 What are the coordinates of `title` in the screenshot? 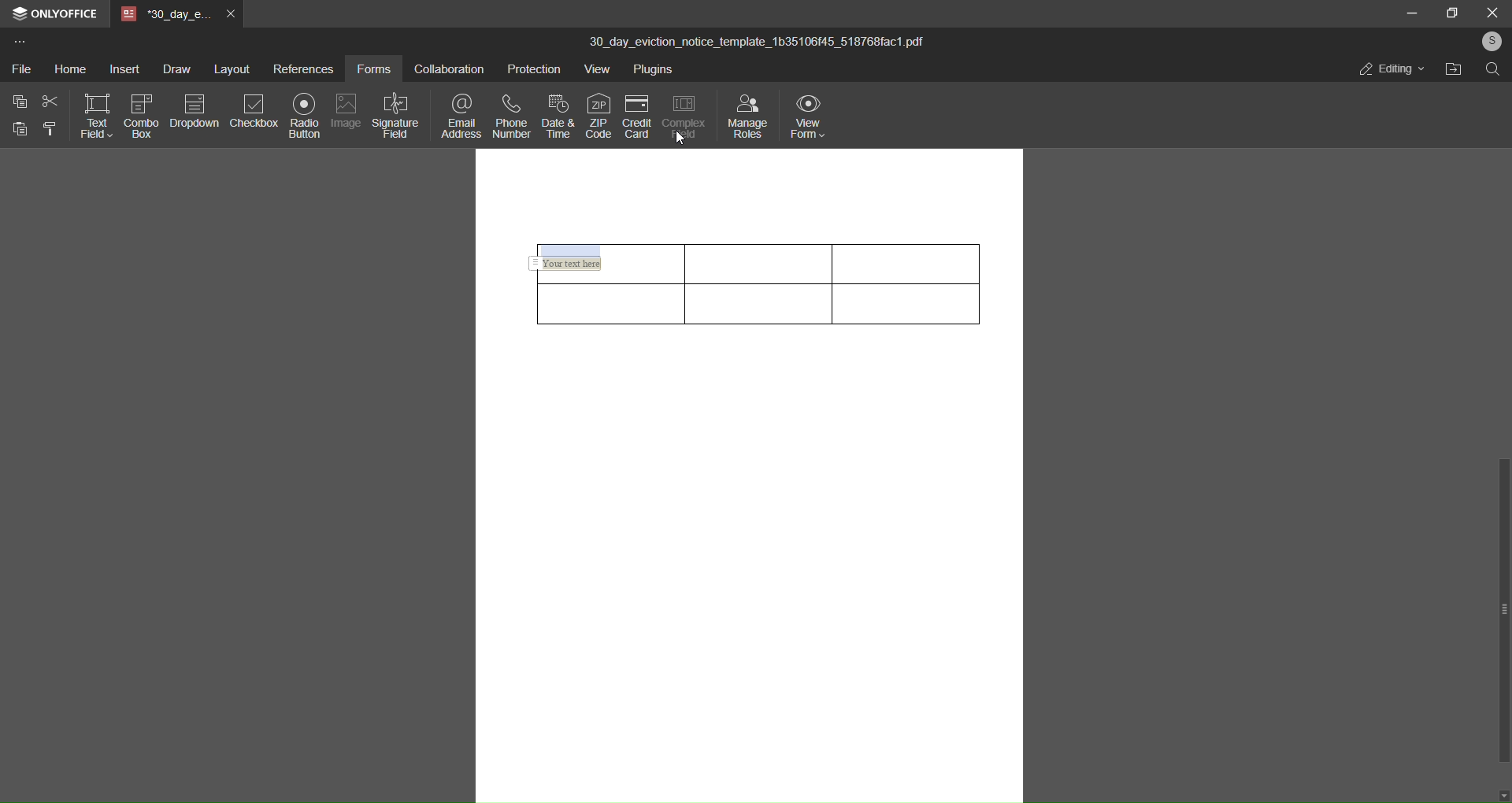 It's located at (757, 43).